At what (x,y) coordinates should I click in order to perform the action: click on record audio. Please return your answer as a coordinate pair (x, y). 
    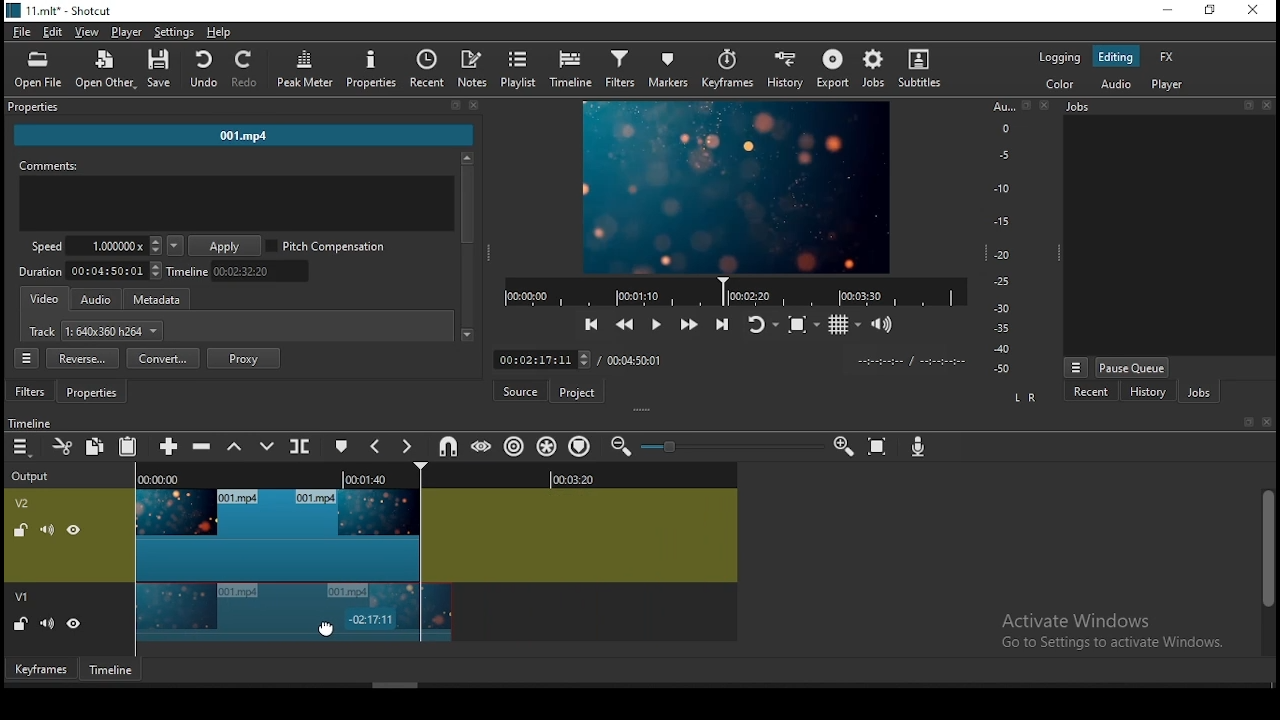
    Looking at the image, I should click on (920, 448).